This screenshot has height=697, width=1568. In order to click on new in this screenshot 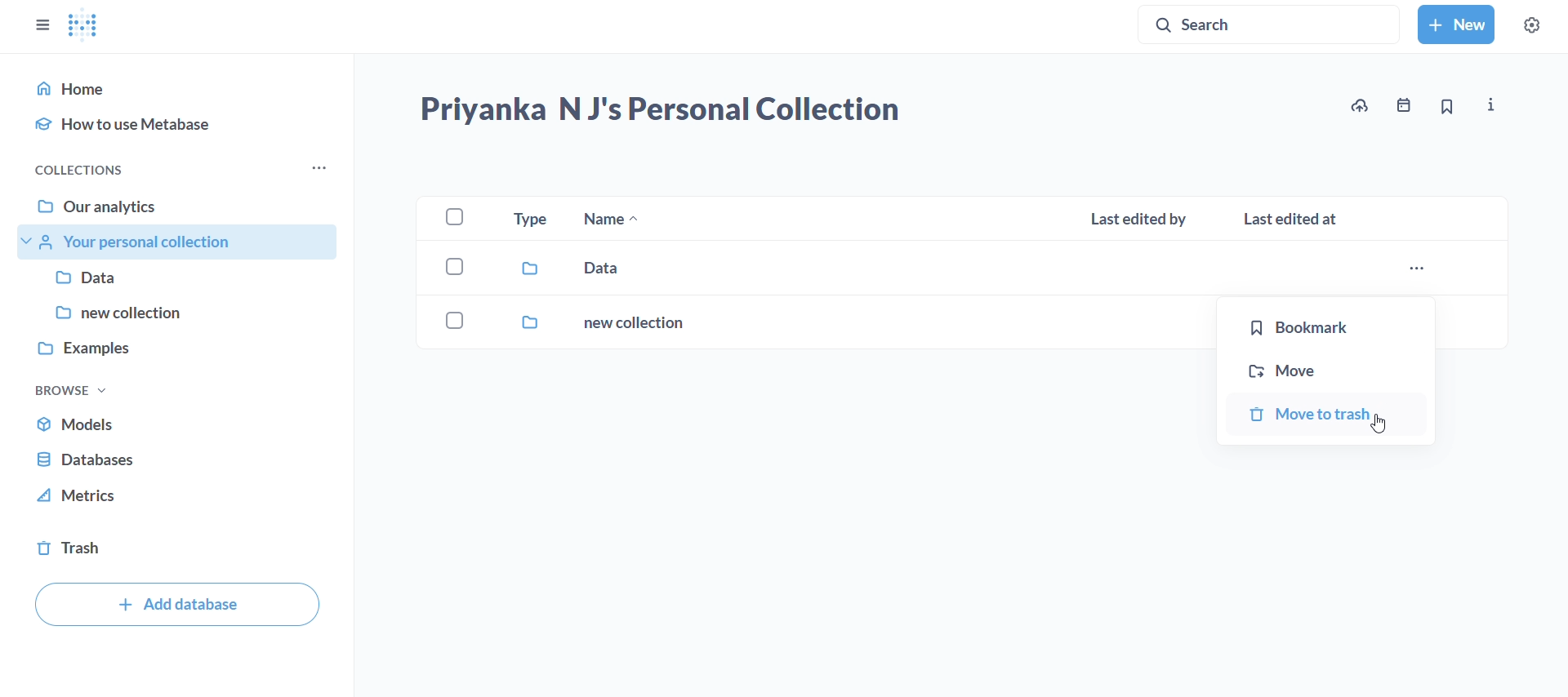, I will do `click(1457, 25)`.